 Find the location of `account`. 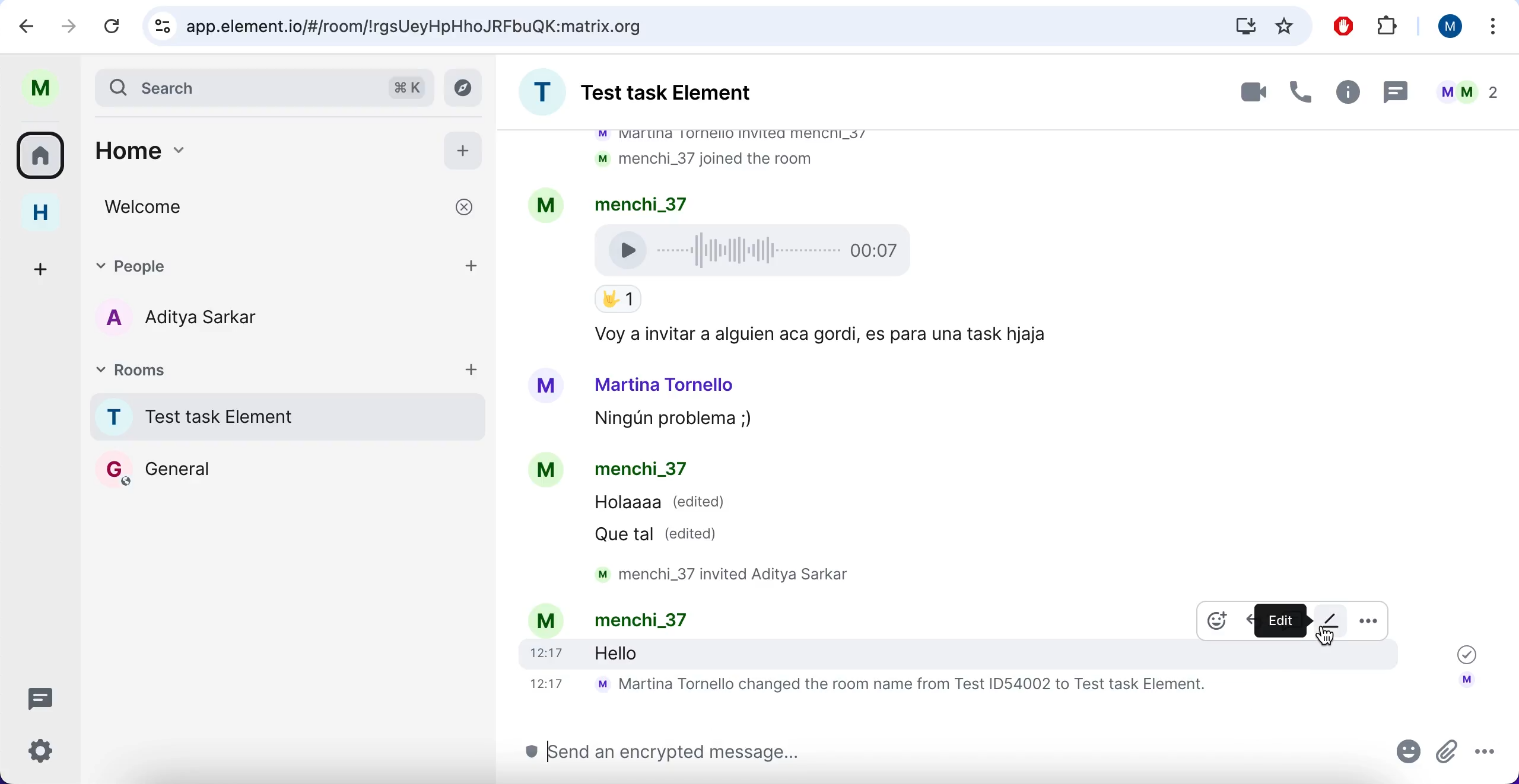

account is located at coordinates (544, 620).